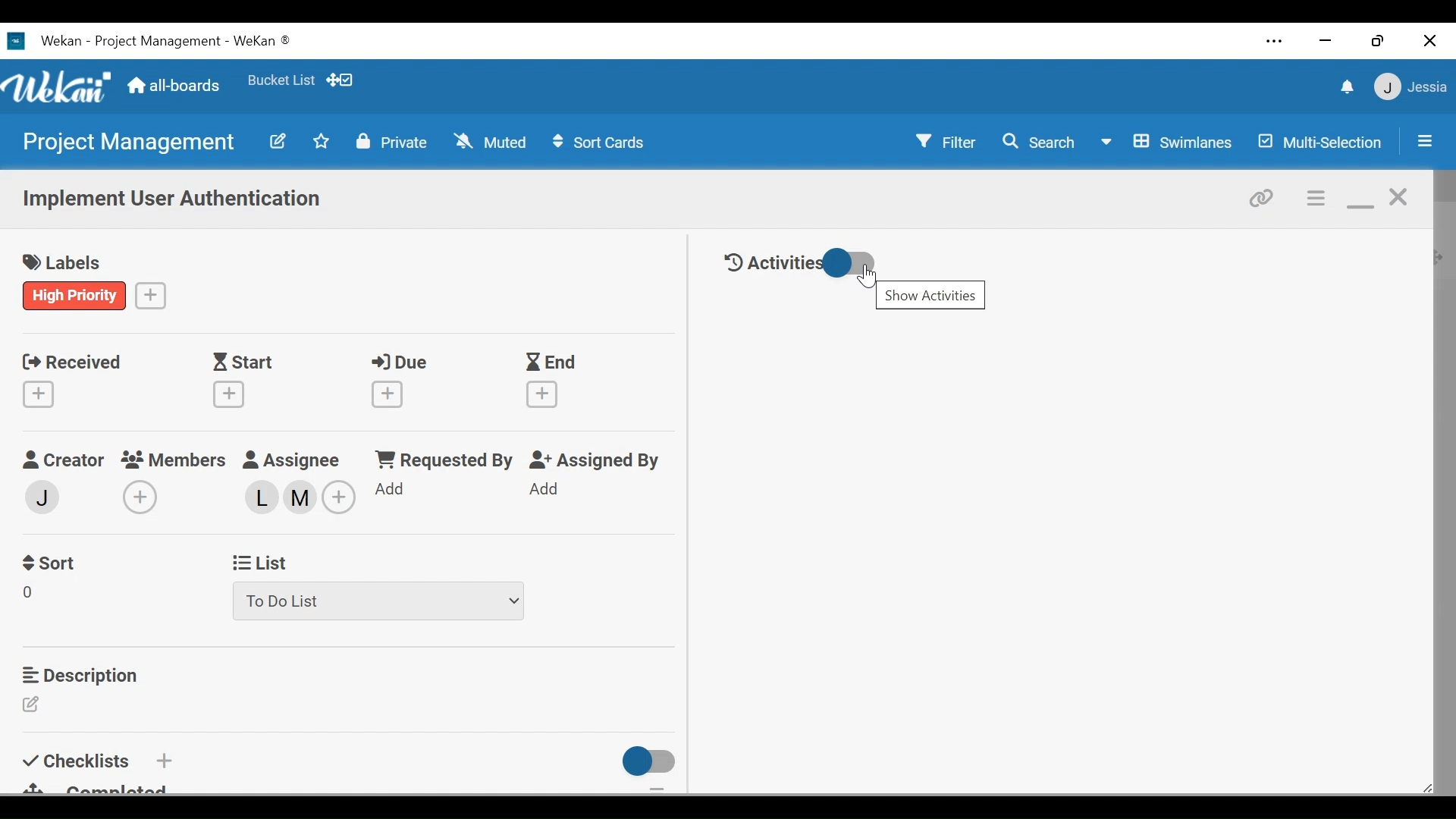 The width and height of the screenshot is (1456, 819). What do you see at coordinates (276, 140) in the screenshot?
I see `Edit` at bounding box center [276, 140].